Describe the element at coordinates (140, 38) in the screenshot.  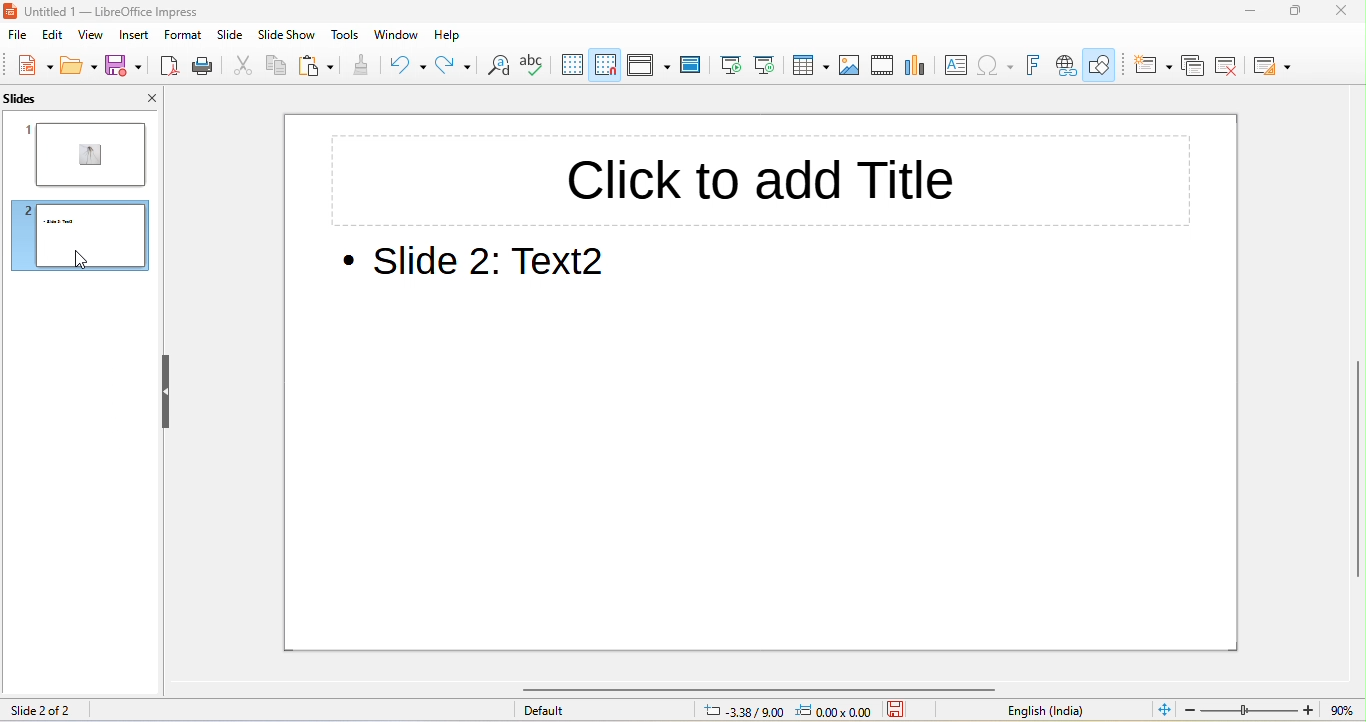
I see `insert` at that location.